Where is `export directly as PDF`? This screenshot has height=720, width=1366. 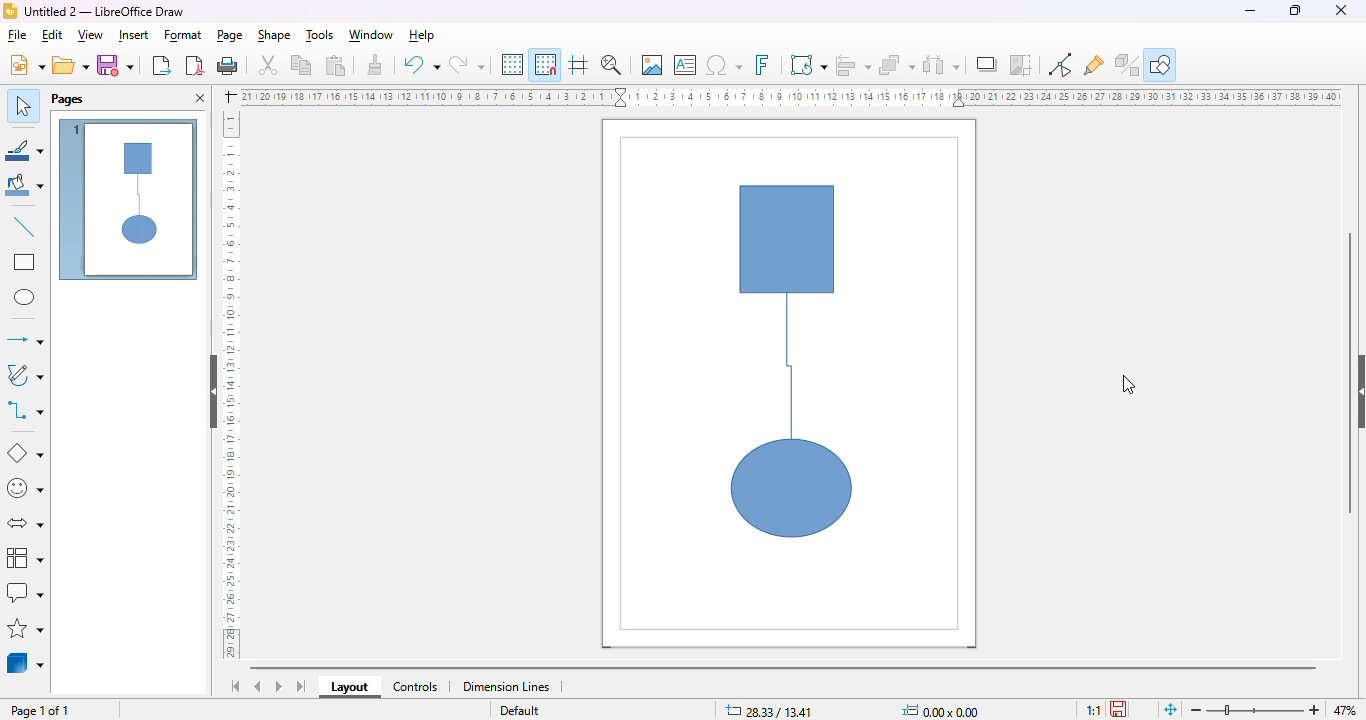 export directly as PDF is located at coordinates (196, 65).